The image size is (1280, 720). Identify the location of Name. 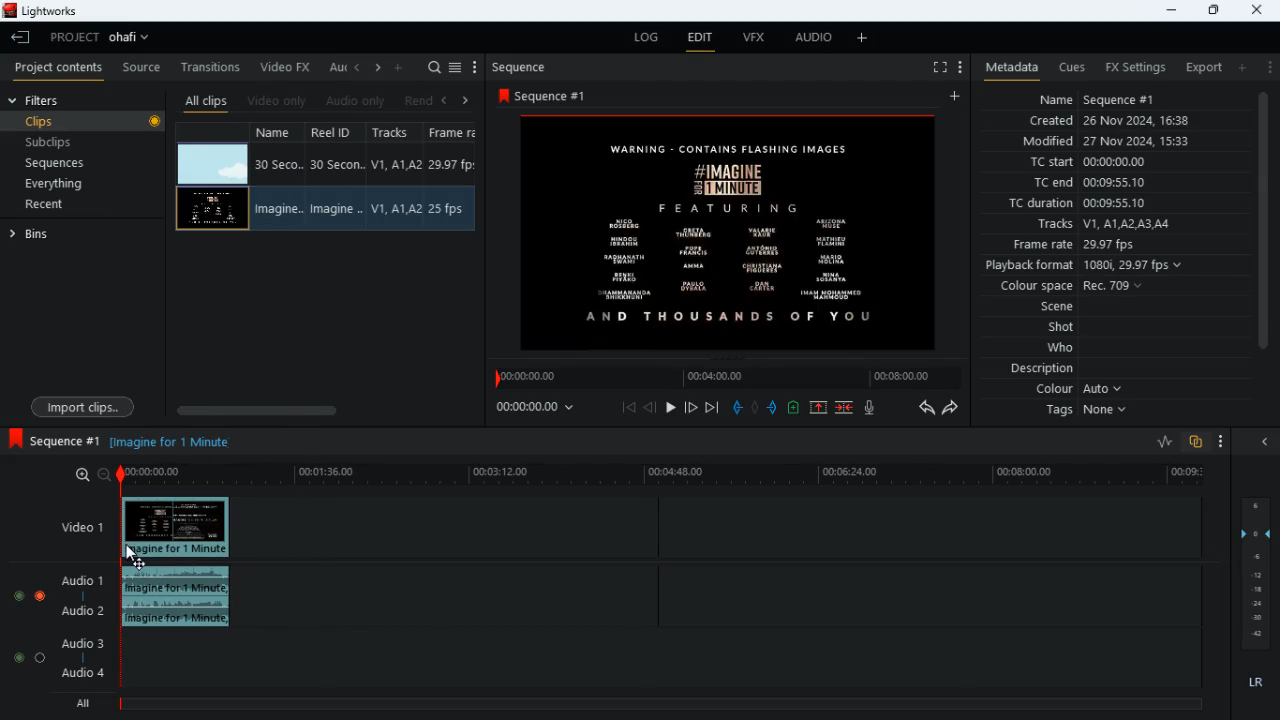
(278, 164).